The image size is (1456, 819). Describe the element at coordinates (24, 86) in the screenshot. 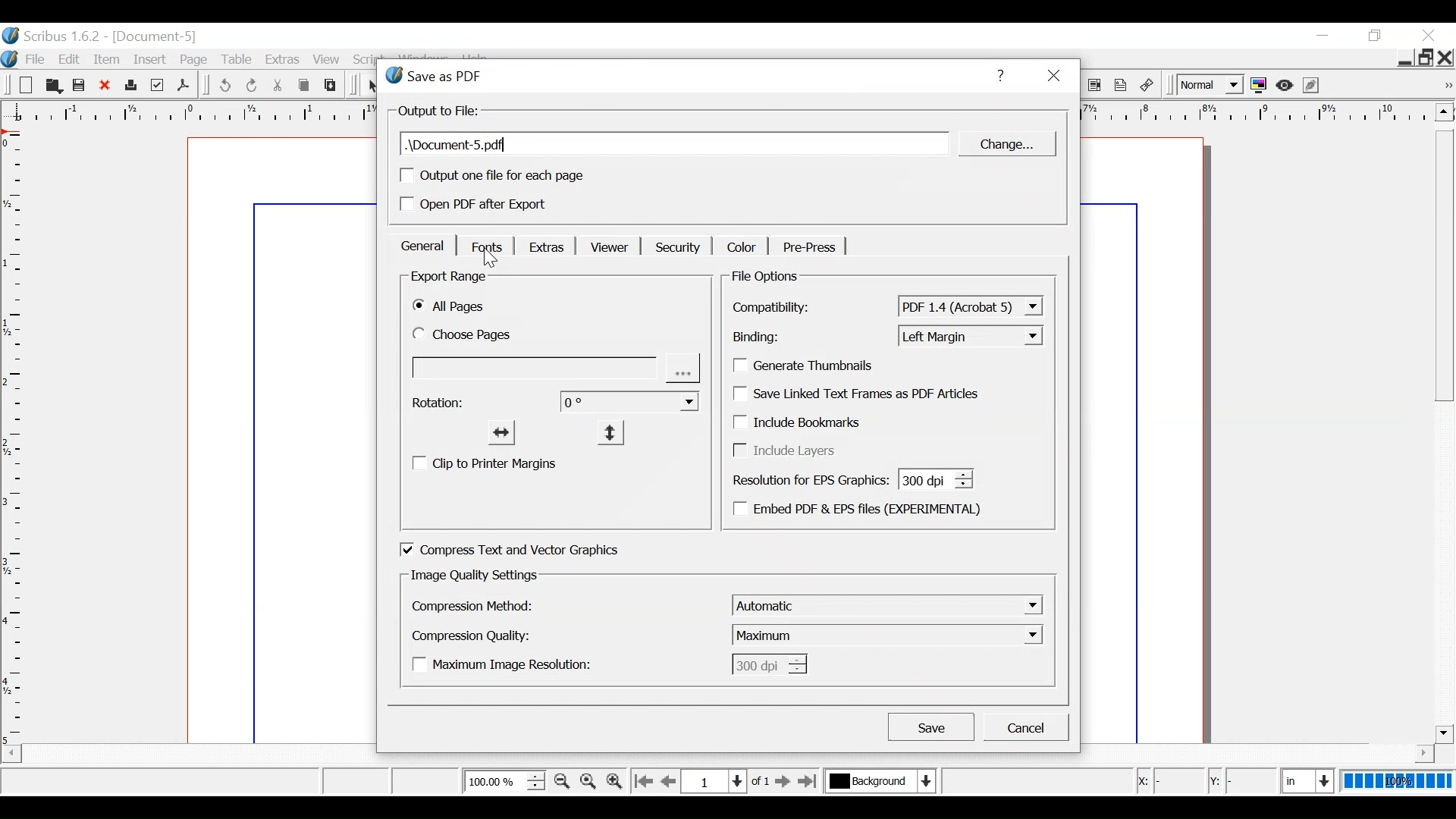

I see `Open` at that location.